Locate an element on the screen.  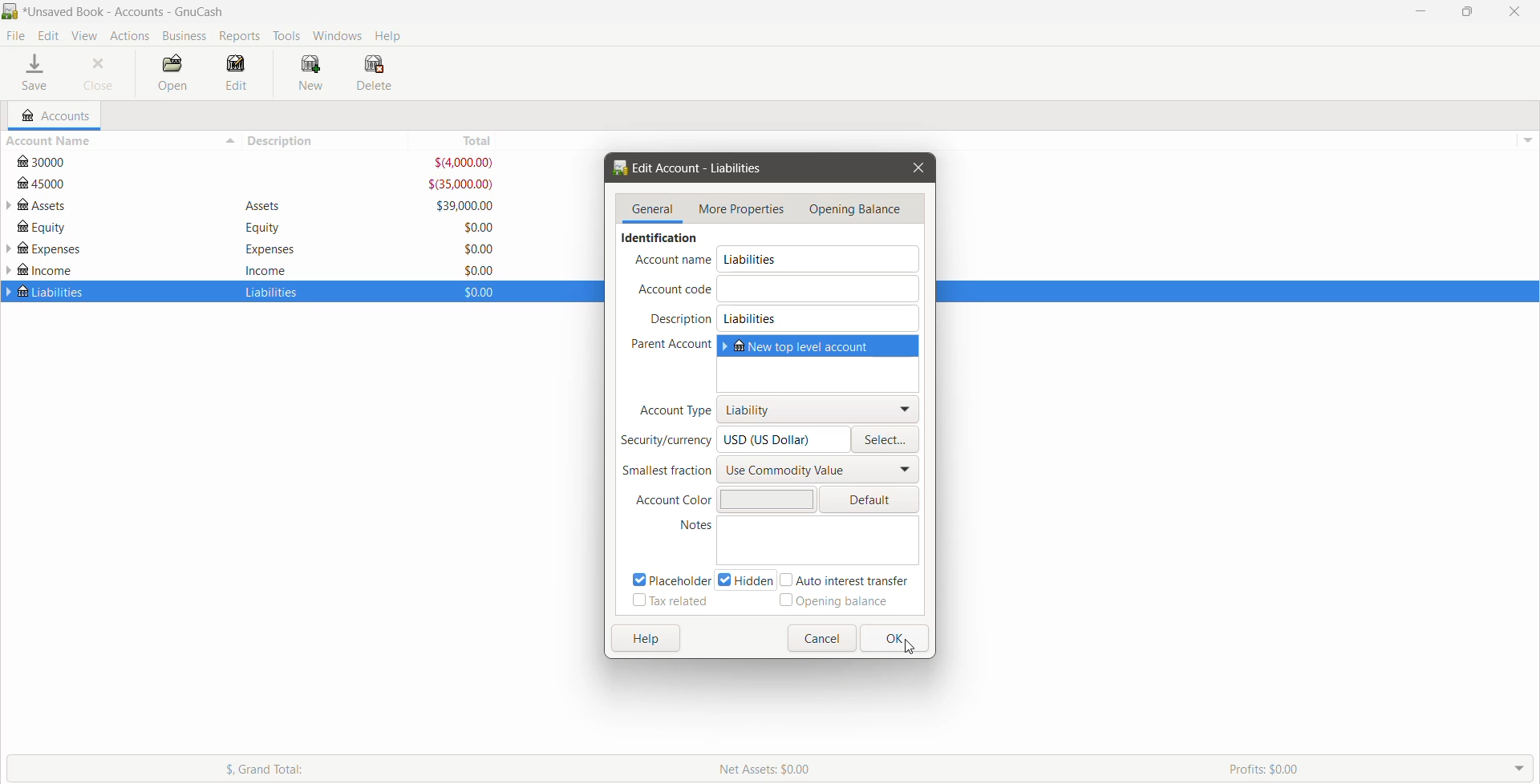
expand subaccounts is located at coordinates (10, 206).